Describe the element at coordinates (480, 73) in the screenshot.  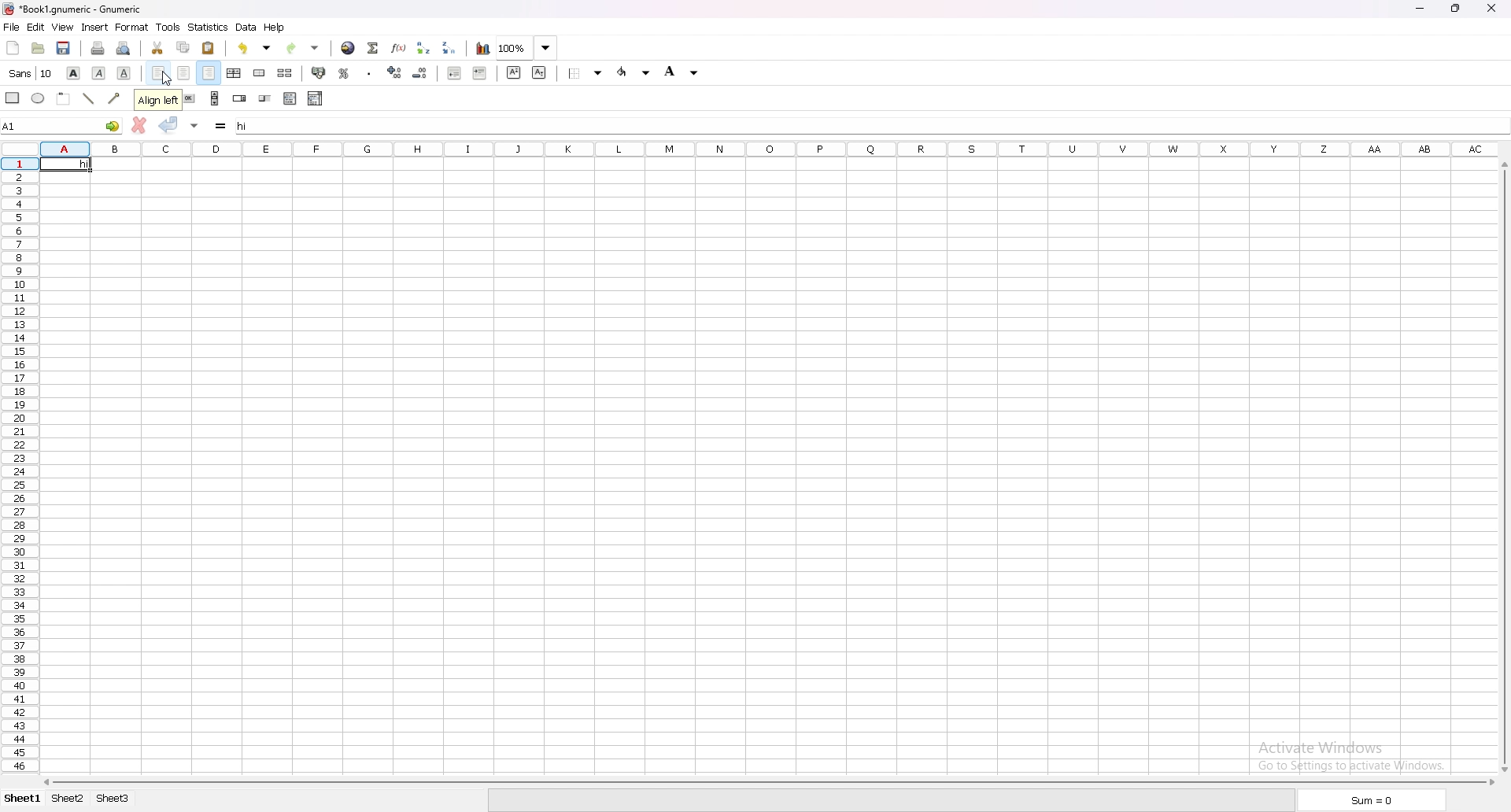
I see `increase indent` at that location.